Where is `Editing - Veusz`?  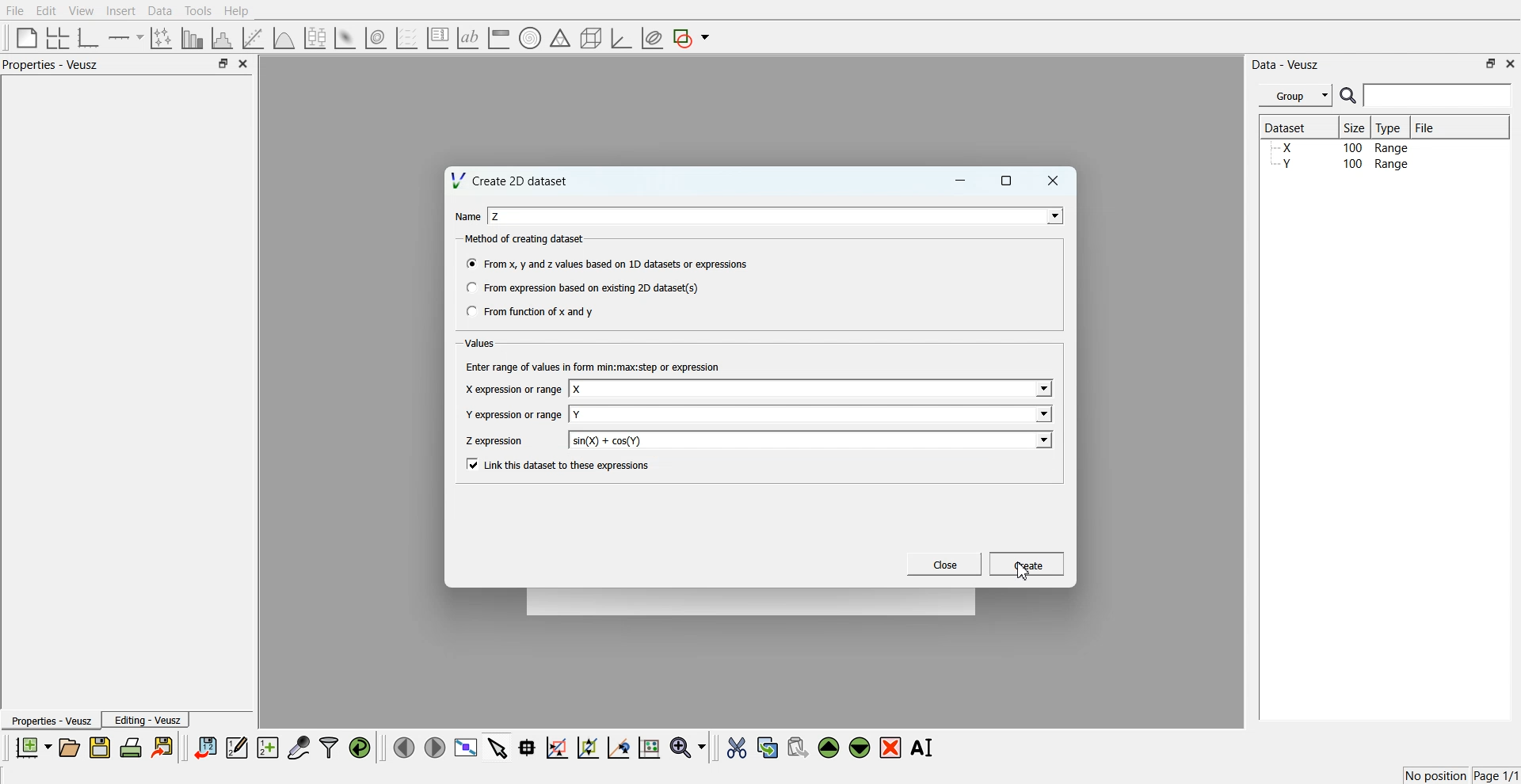 Editing - Veusz is located at coordinates (146, 719).